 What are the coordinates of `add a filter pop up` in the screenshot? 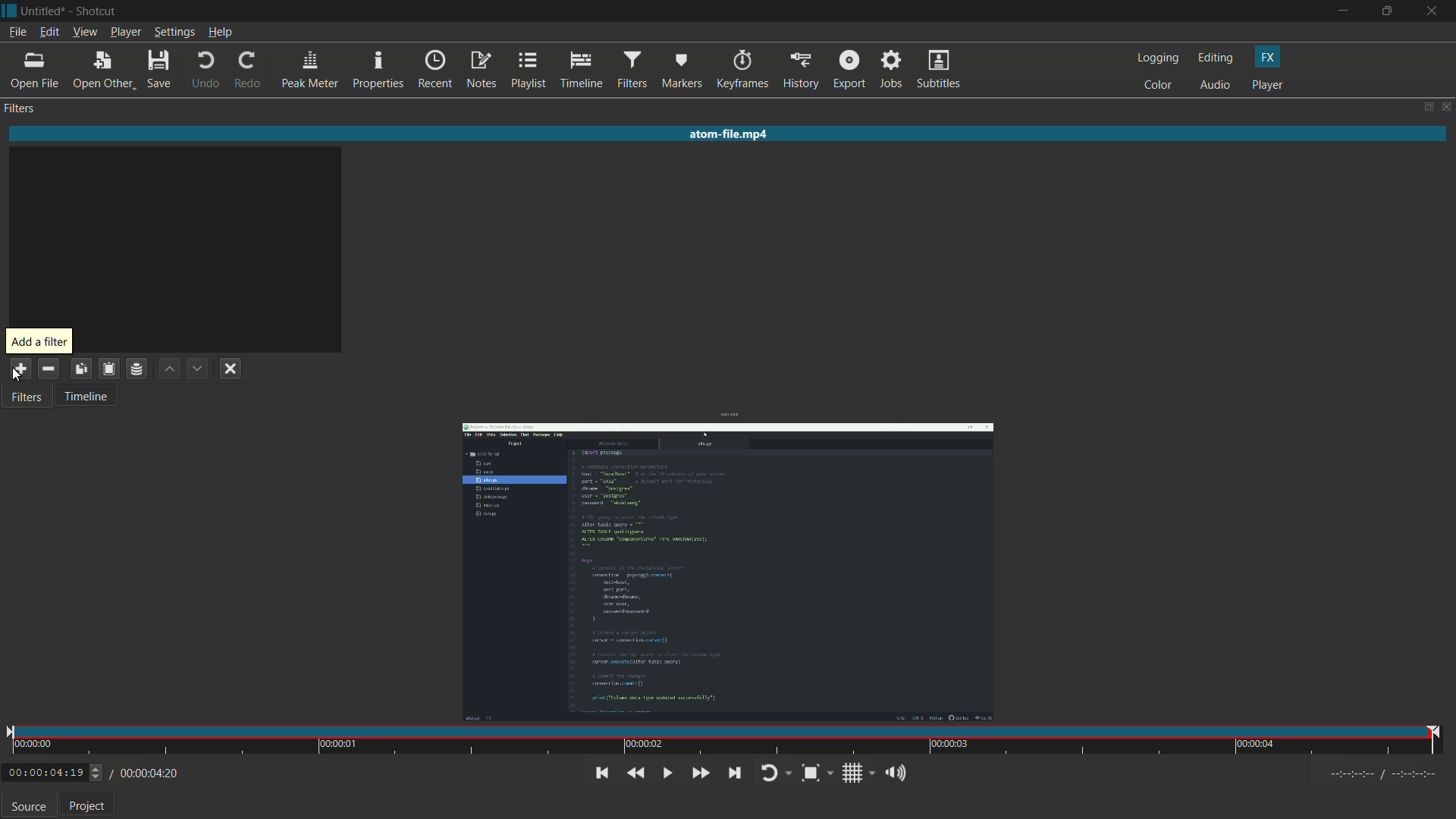 It's located at (38, 342).